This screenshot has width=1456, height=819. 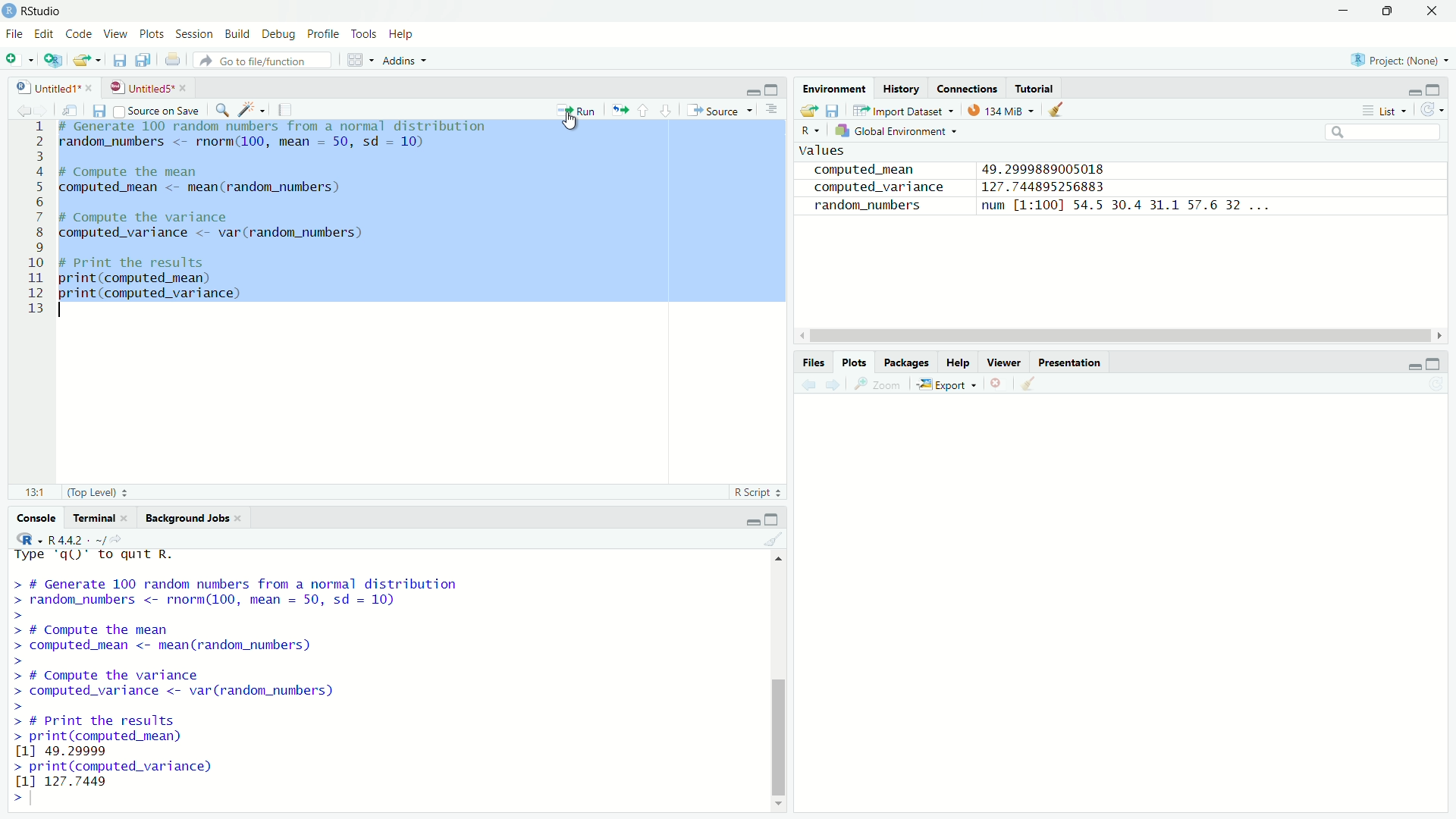 I want to click on edit, so click(x=43, y=35).